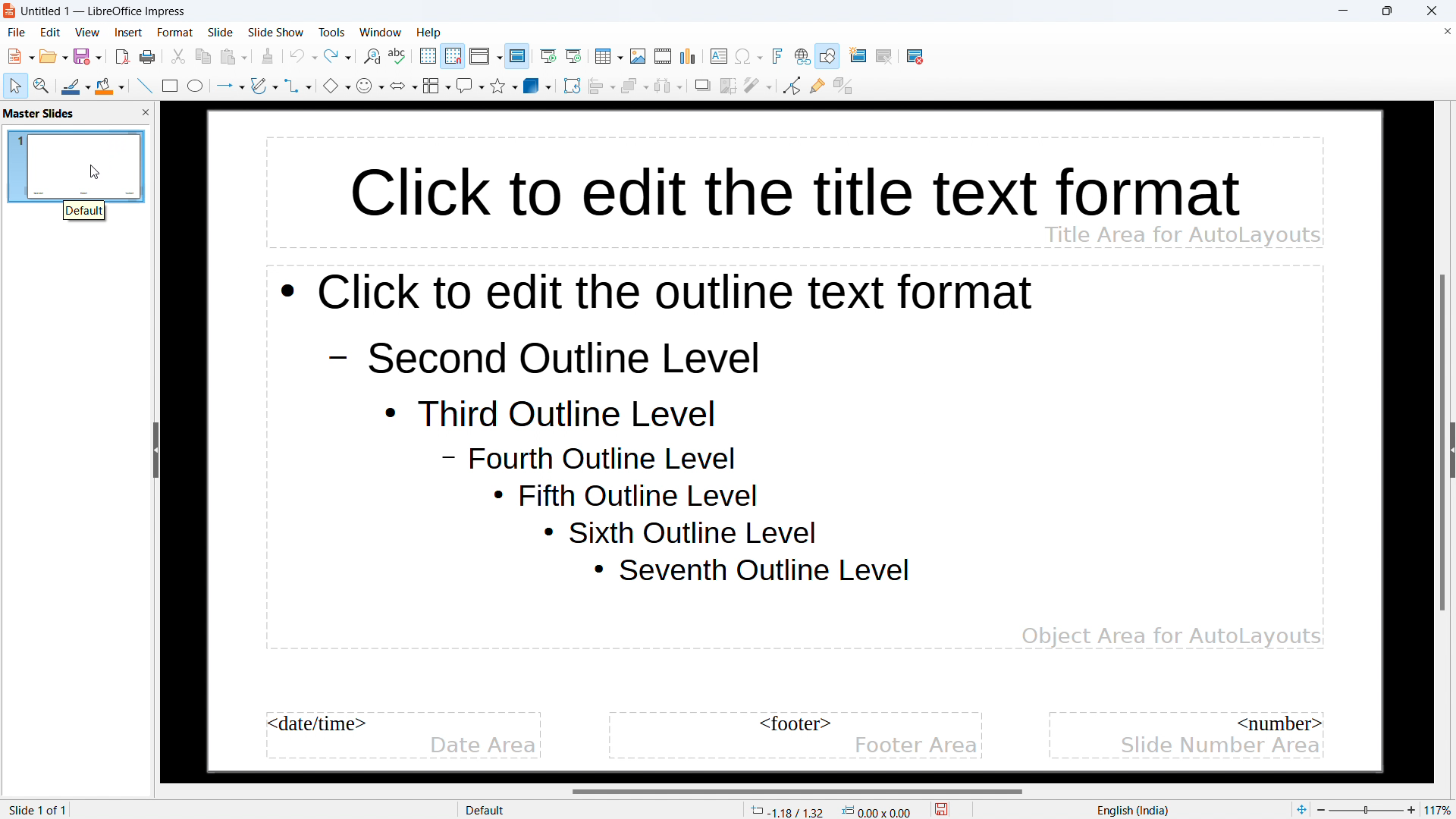 The height and width of the screenshot is (819, 1456). What do you see at coordinates (77, 85) in the screenshot?
I see `line color` at bounding box center [77, 85].